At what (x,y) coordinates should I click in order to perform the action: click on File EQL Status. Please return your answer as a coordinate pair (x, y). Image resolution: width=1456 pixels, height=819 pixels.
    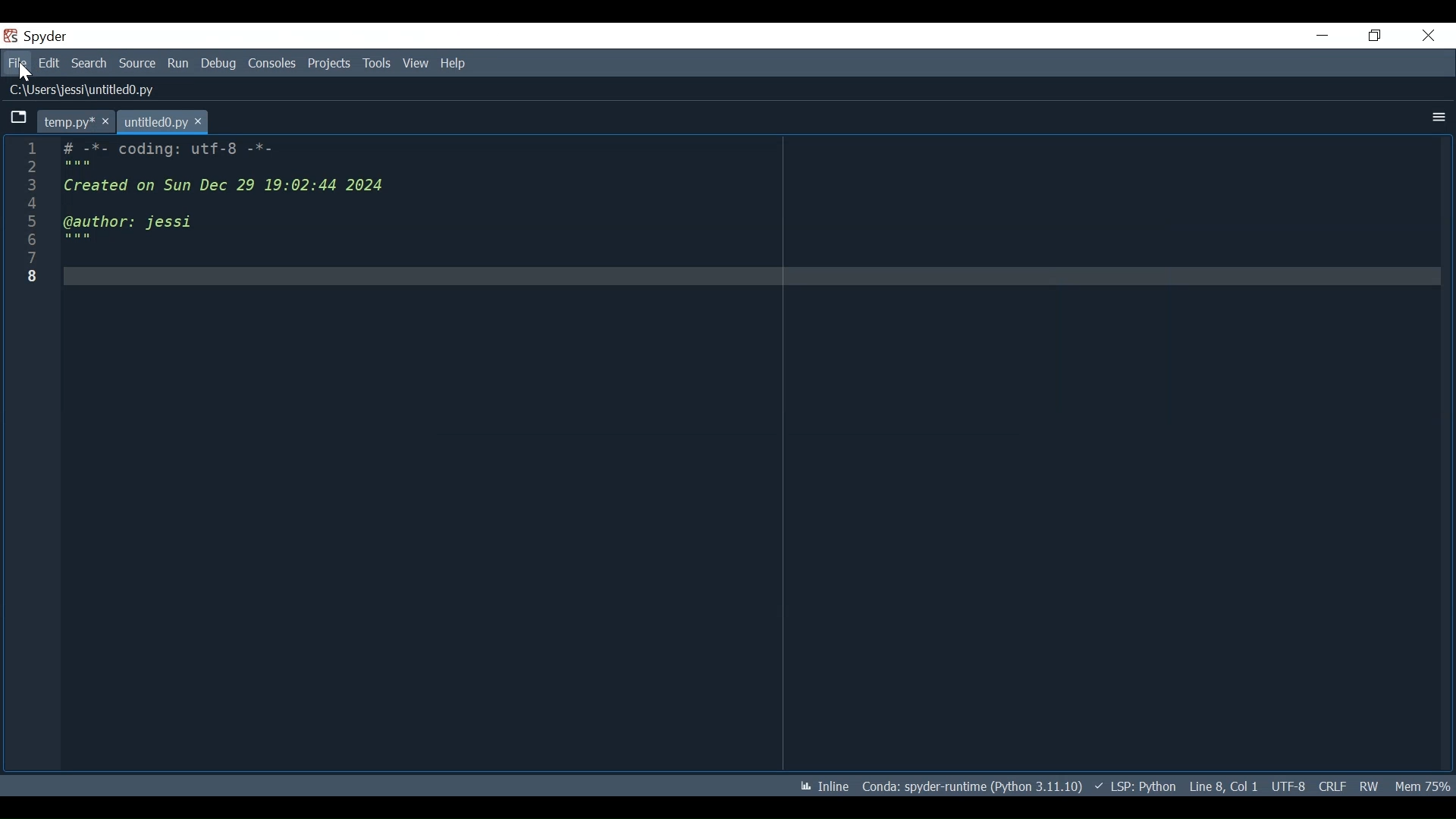
    Looking at the image, I should click on (1332, 786).